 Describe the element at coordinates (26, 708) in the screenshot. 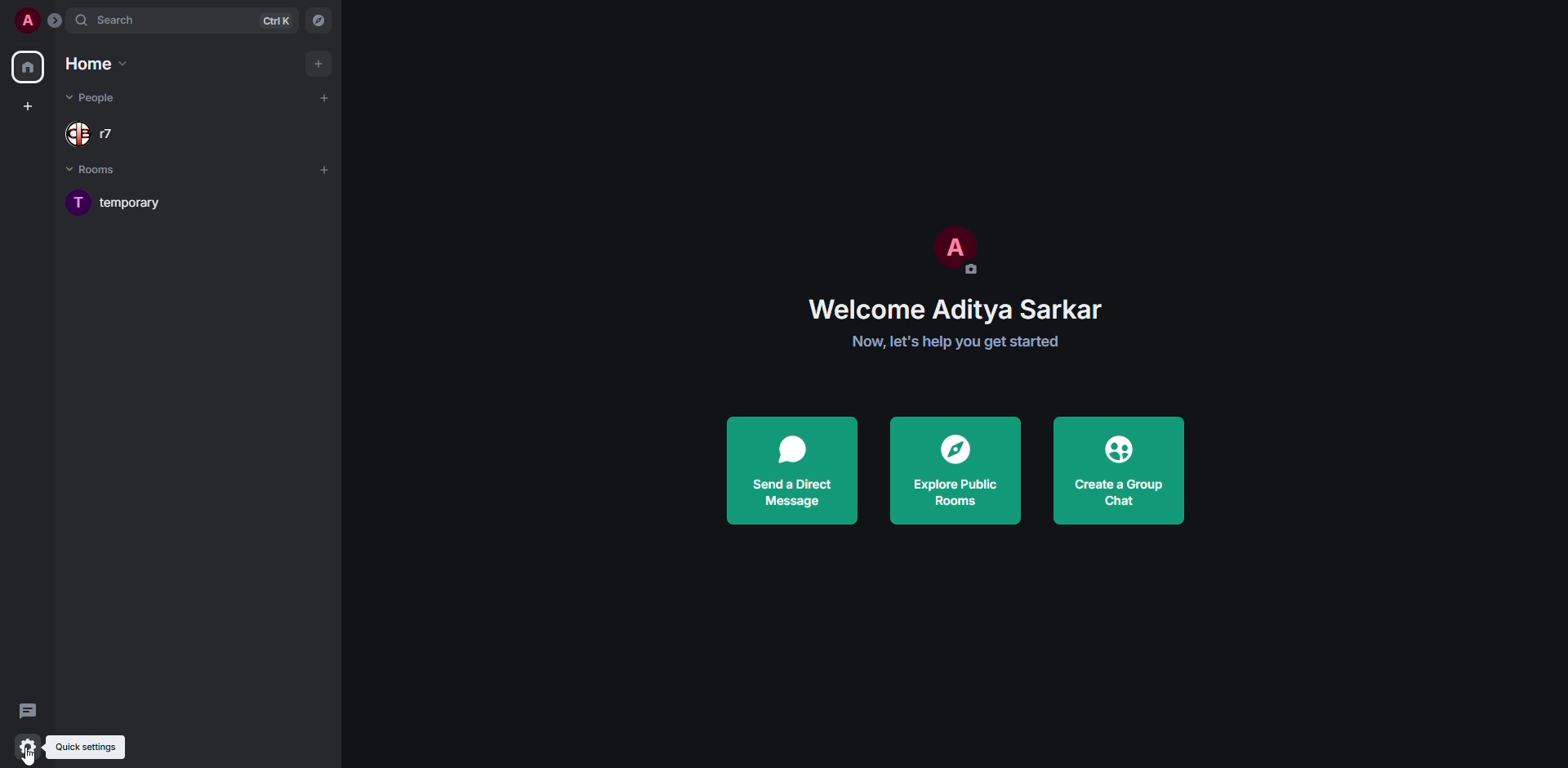

I see `threads` at that location.